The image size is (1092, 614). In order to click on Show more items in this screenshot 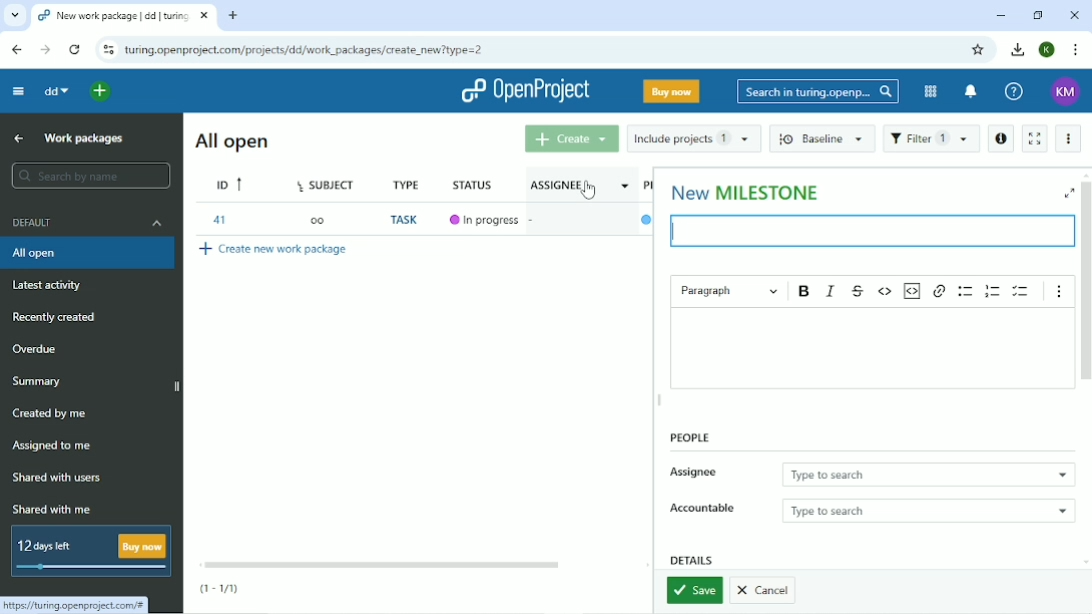, I will do `click(1059, 291)`.